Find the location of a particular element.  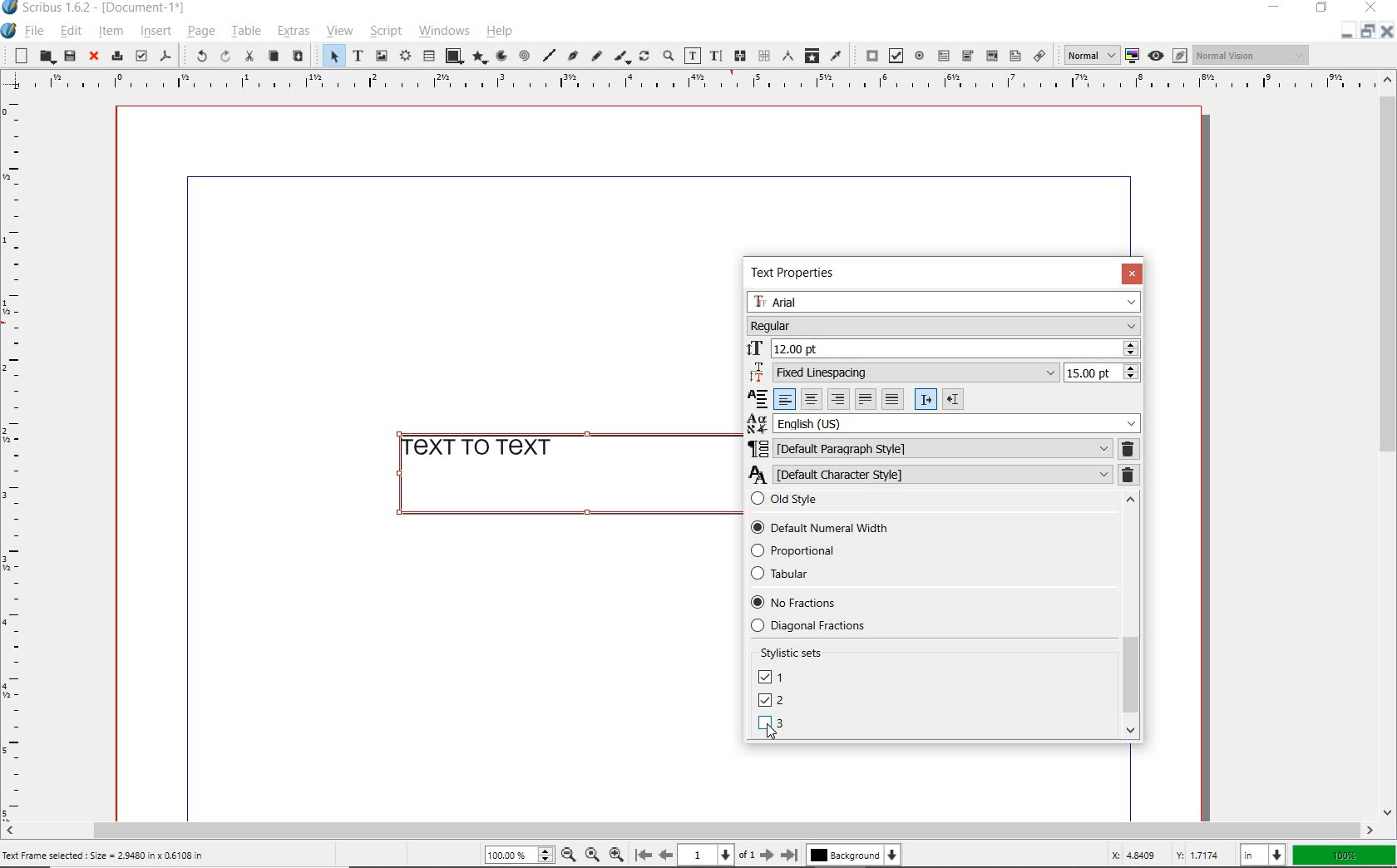

pdf combo box is located at coordinates (967, 56).